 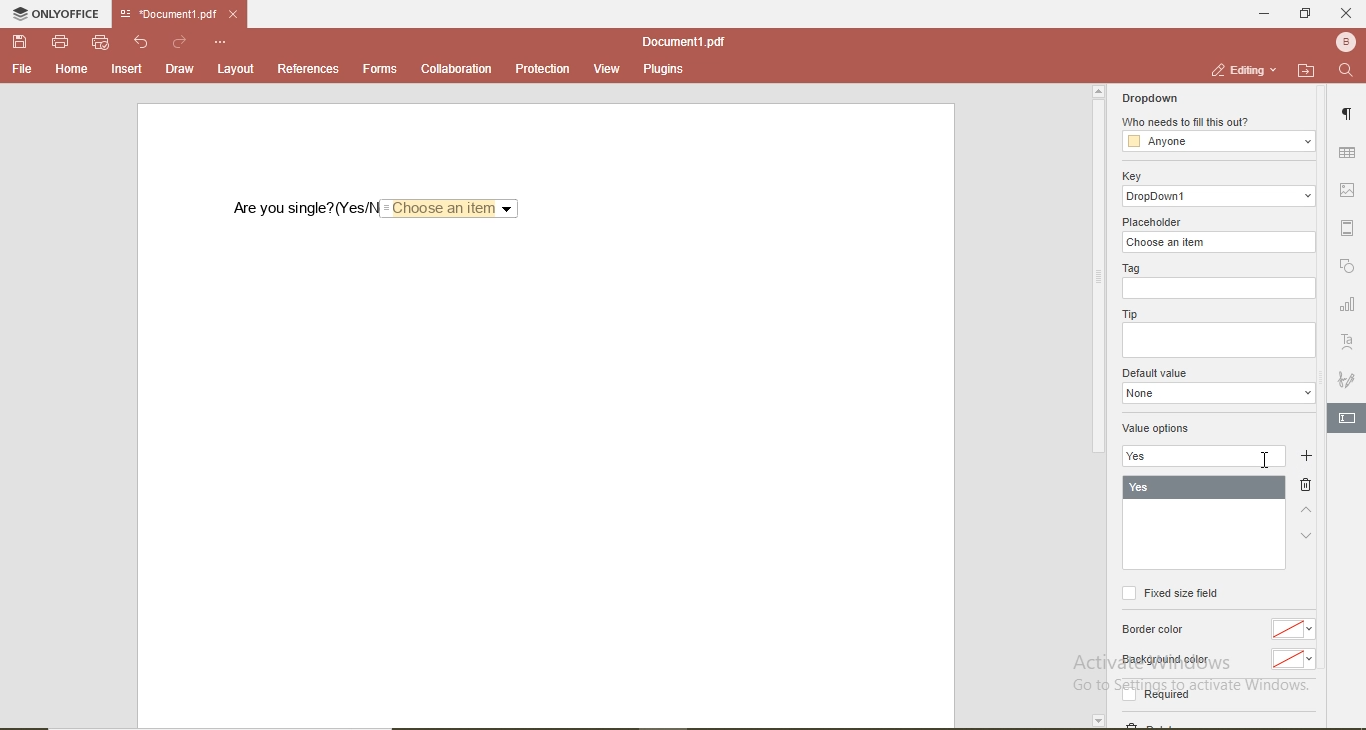 I want to click on save, so click(x=20, y=42).